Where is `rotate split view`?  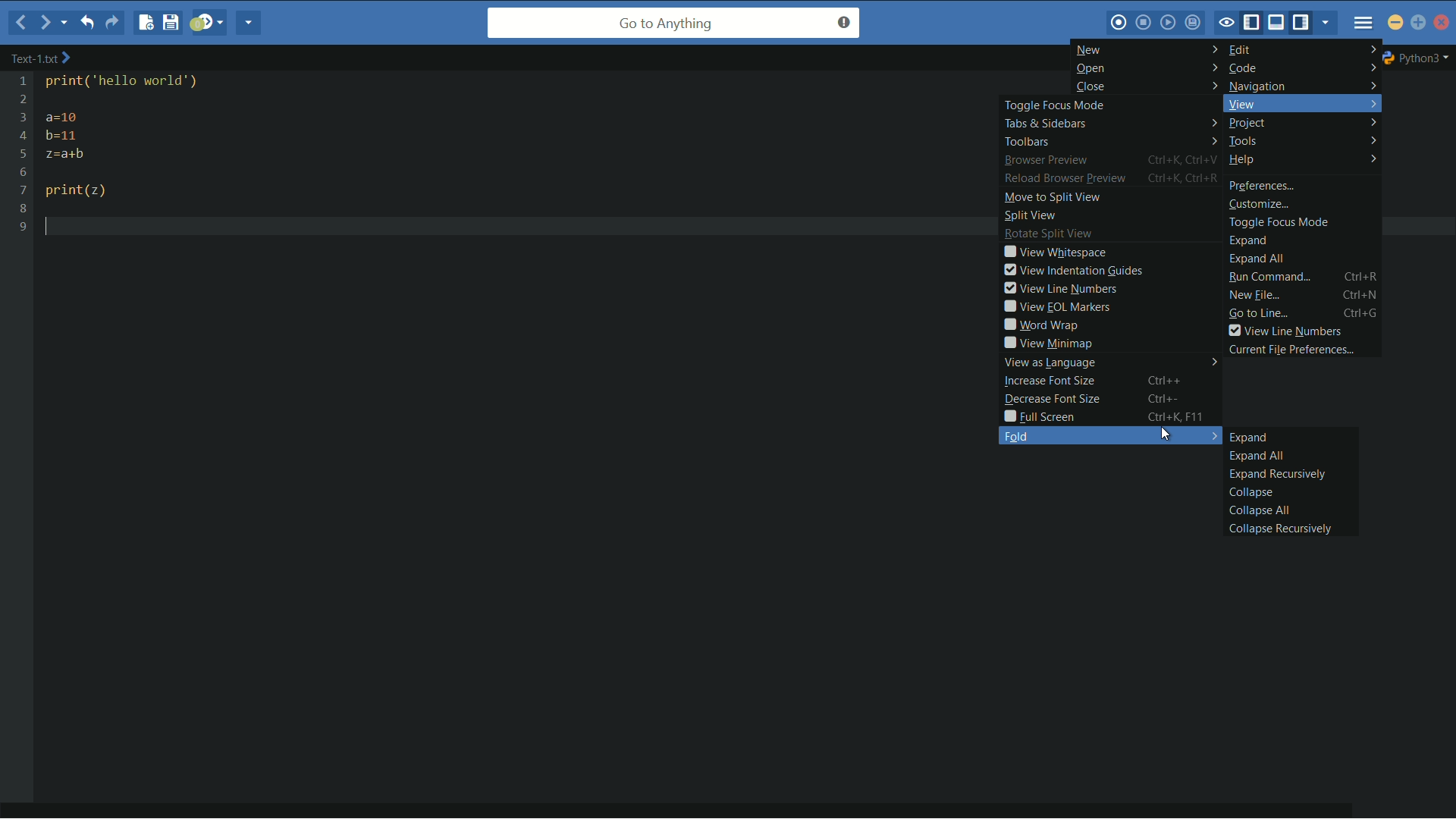
rotate split view is located at coordinates (1049, 235).